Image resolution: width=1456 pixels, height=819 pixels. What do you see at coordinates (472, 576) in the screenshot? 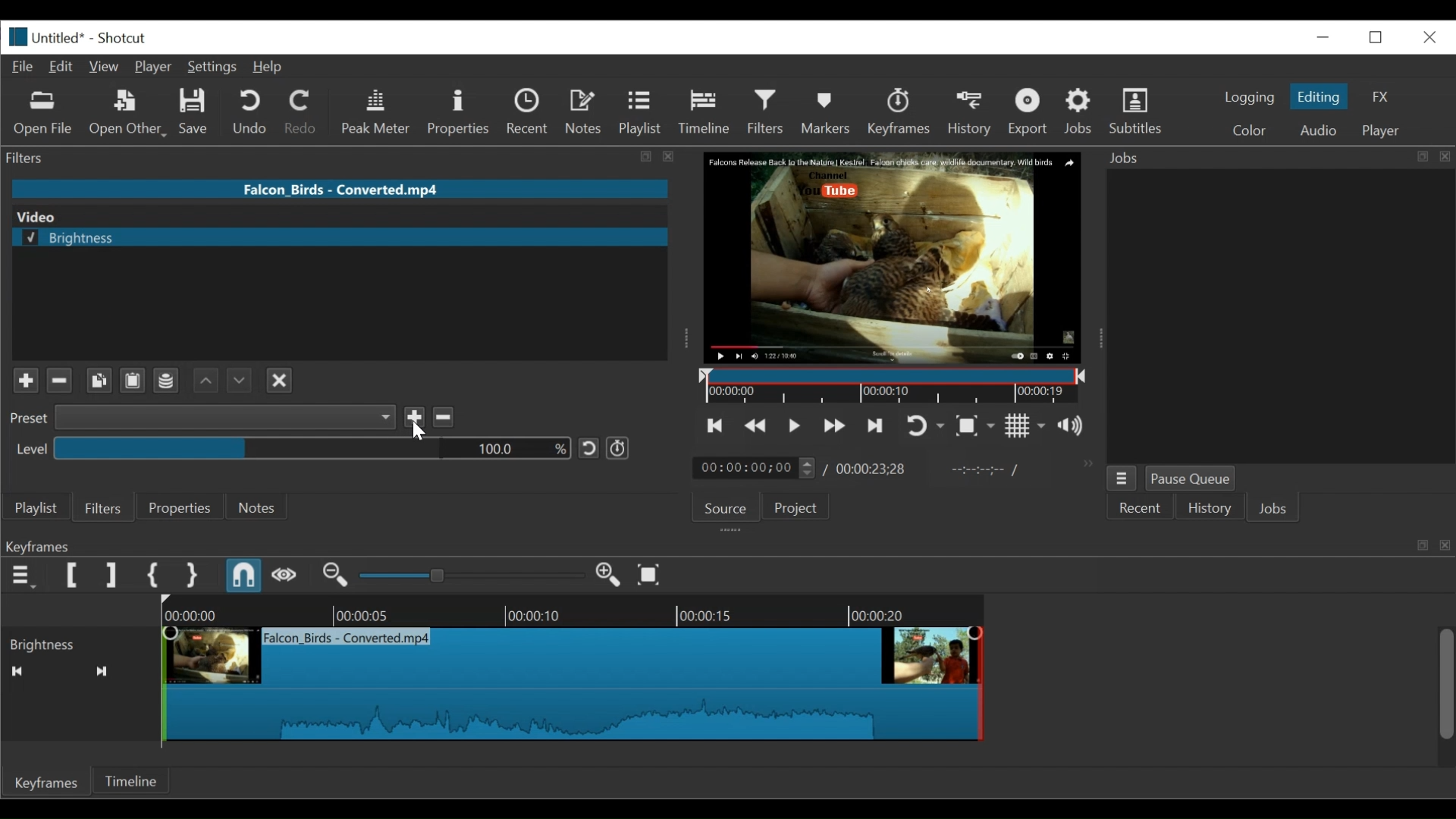
I see `Zoom keyframe slider` at bounding box center [472, 576].